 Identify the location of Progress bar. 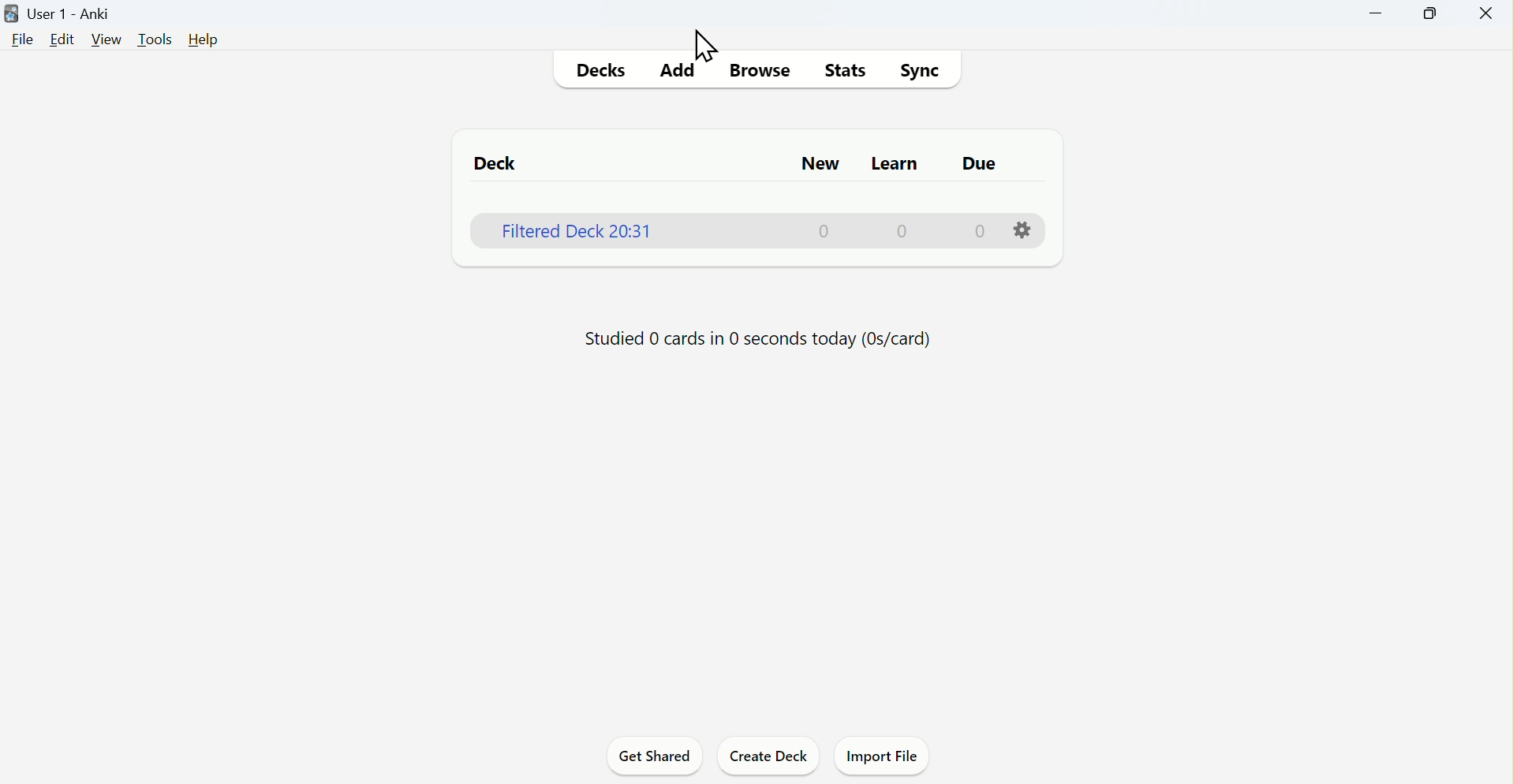
(760, 338).